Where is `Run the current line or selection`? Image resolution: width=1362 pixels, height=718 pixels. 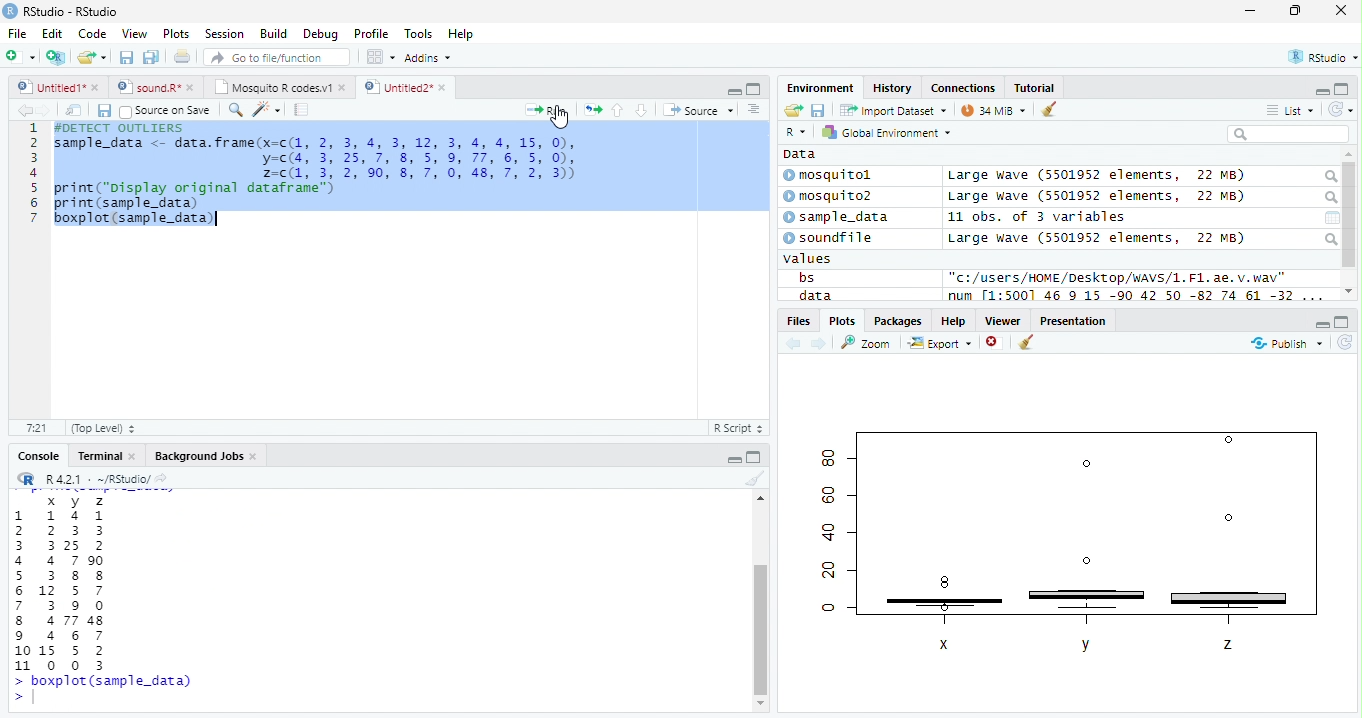
Run the current line or selection is located at coordinates (546, 111).